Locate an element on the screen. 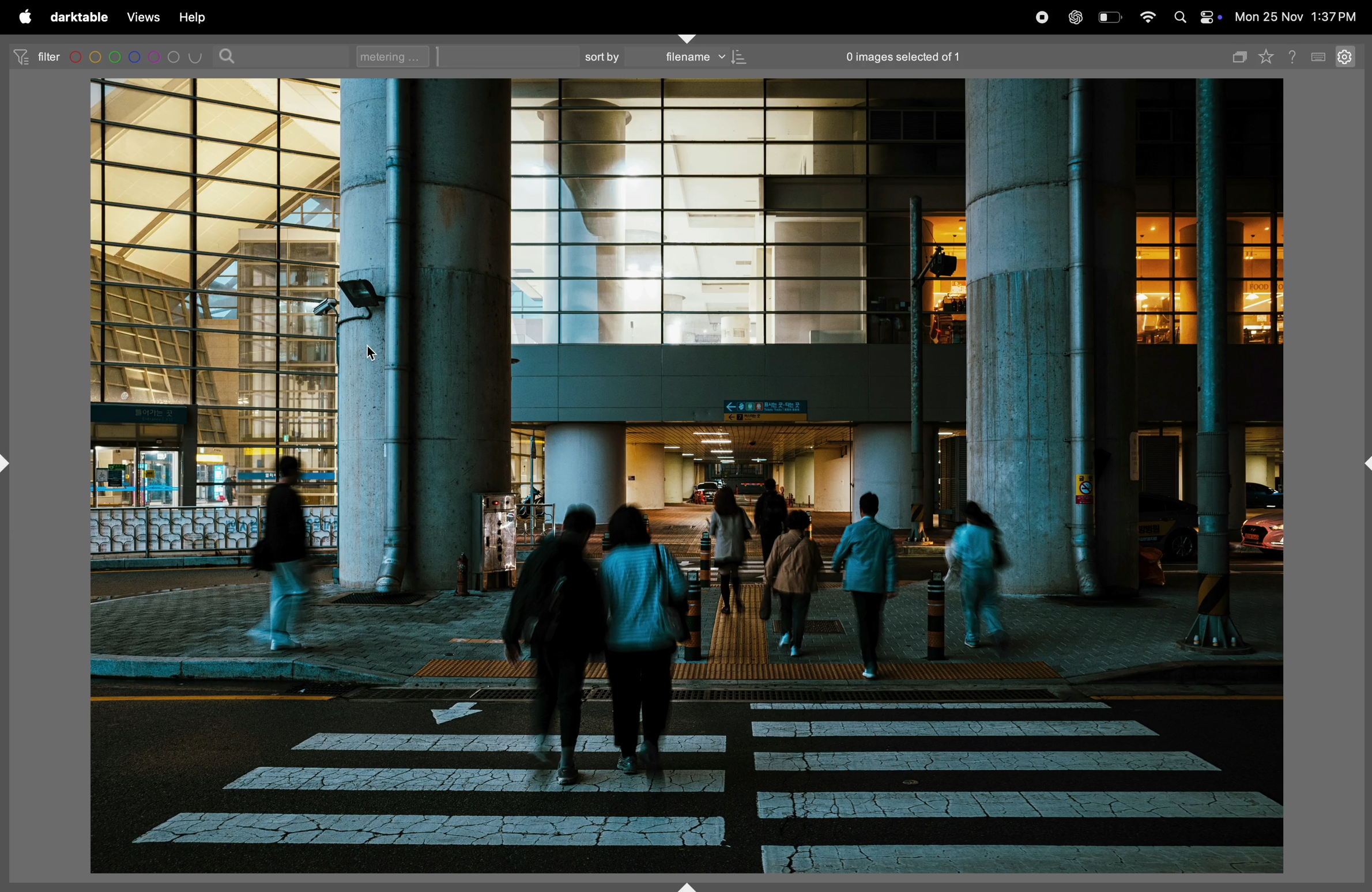  sort by is located at coordinates (606, 56).